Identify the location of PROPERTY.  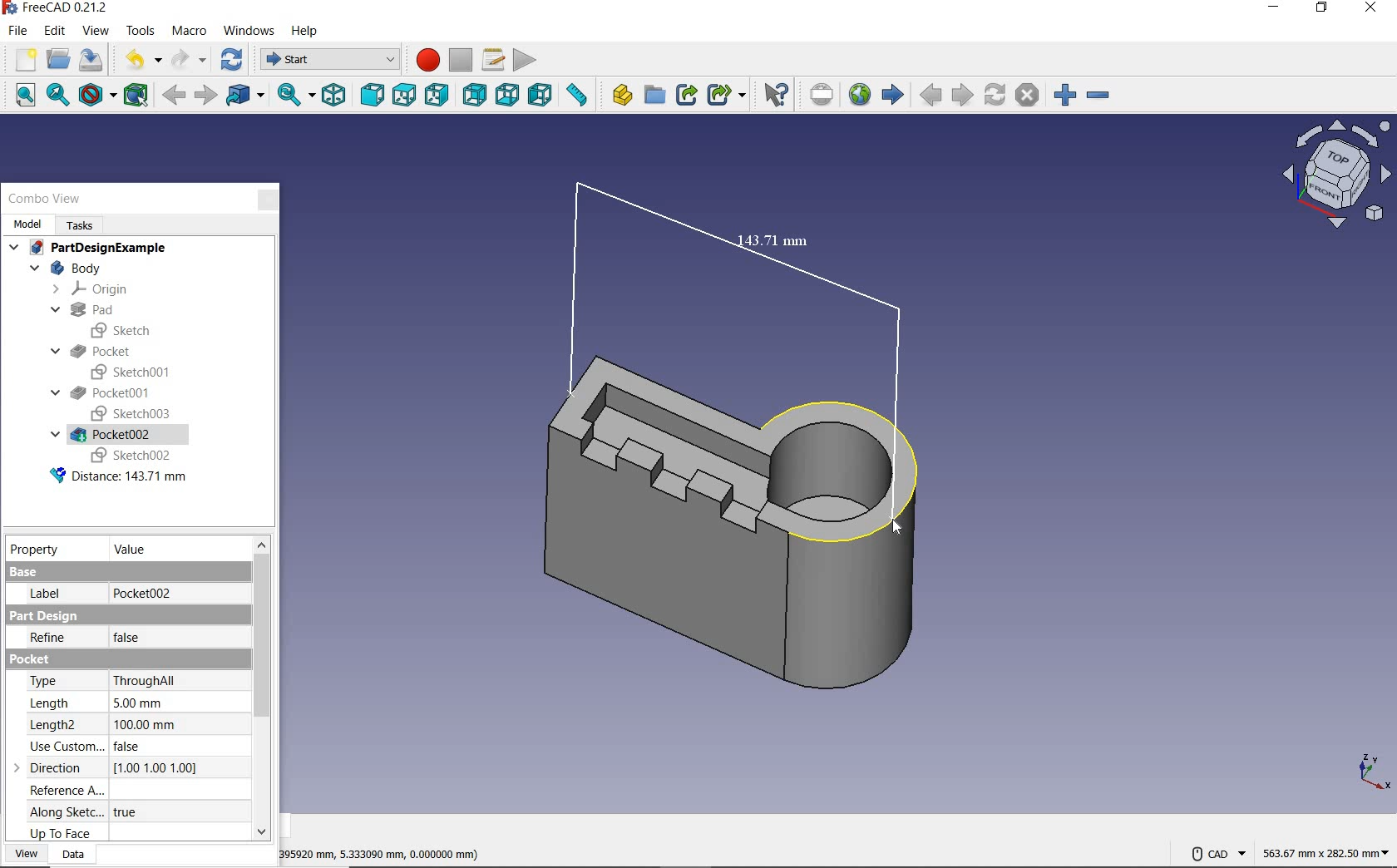
(40, 549).